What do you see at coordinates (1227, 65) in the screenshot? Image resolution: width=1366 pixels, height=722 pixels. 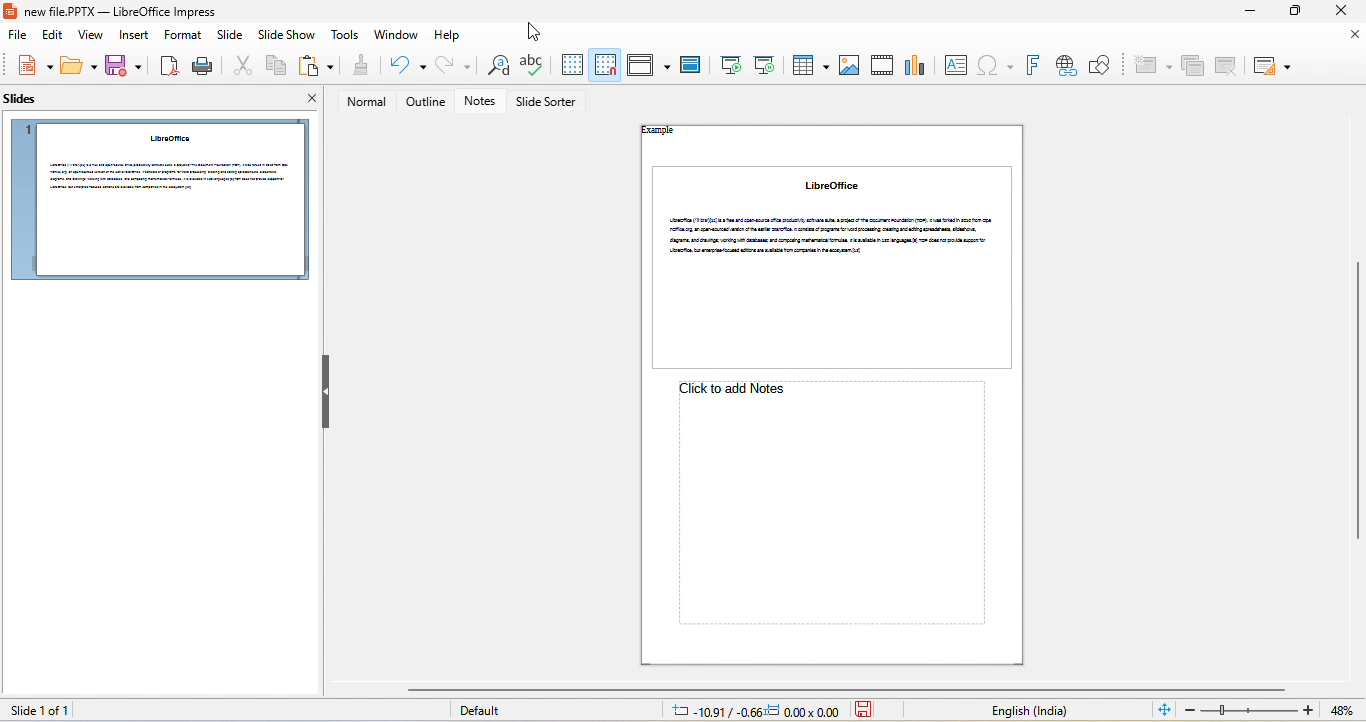 I see `delete slide` at bounding box center [1227, 65].